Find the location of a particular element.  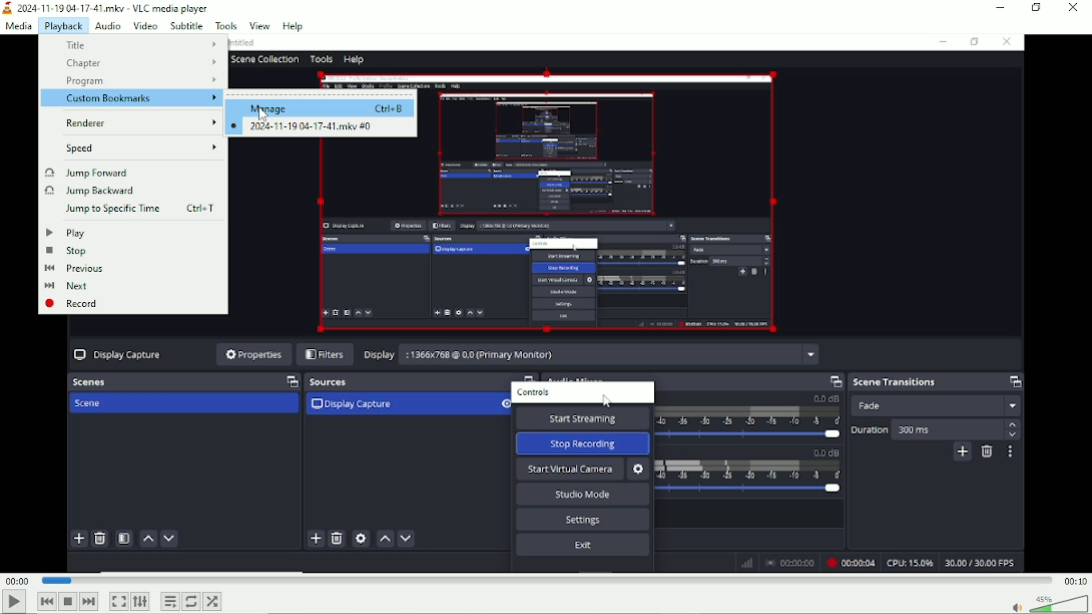

Program is located at coordinates (142, 81).